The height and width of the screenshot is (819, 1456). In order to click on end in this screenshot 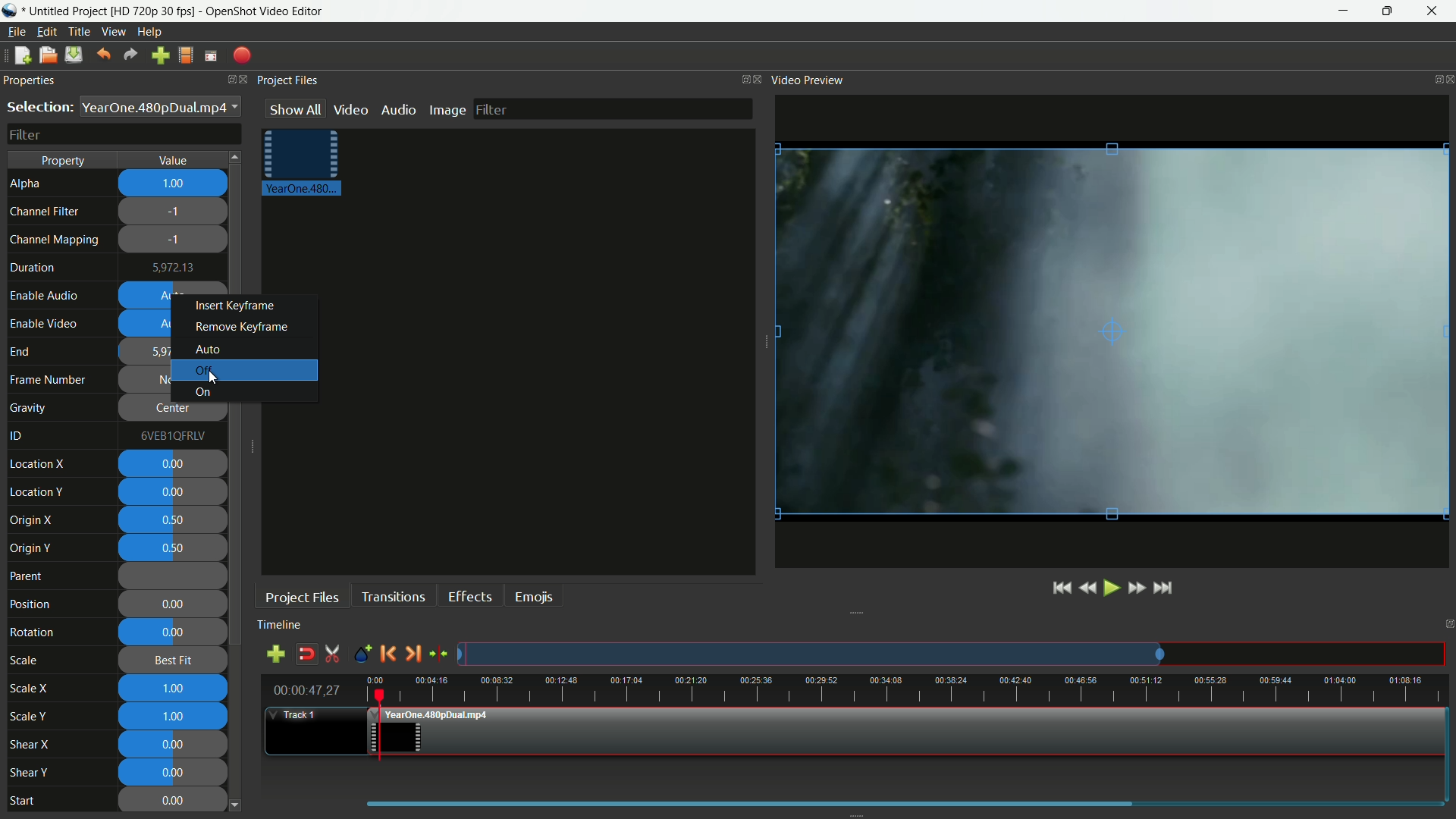, I will do `click(20, 353)`.